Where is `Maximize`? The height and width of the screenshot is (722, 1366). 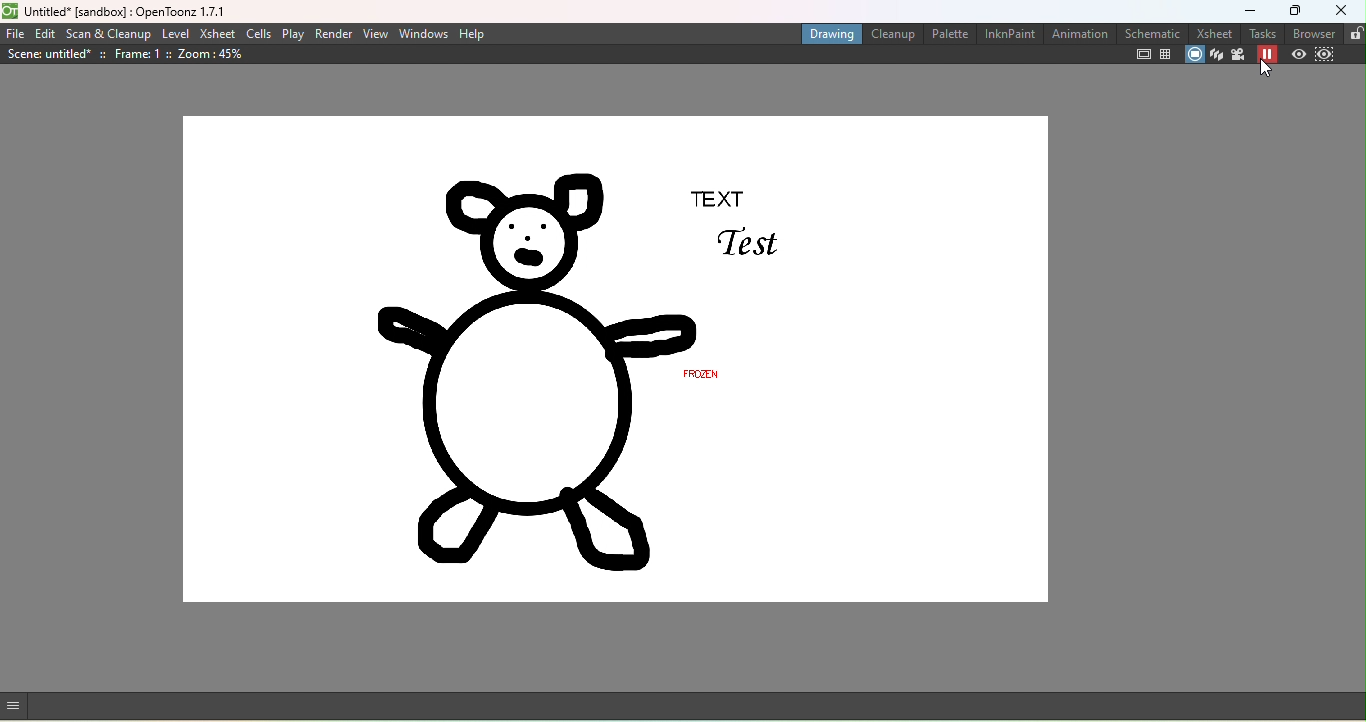
Maximize is located at coordinates (1297, 10).